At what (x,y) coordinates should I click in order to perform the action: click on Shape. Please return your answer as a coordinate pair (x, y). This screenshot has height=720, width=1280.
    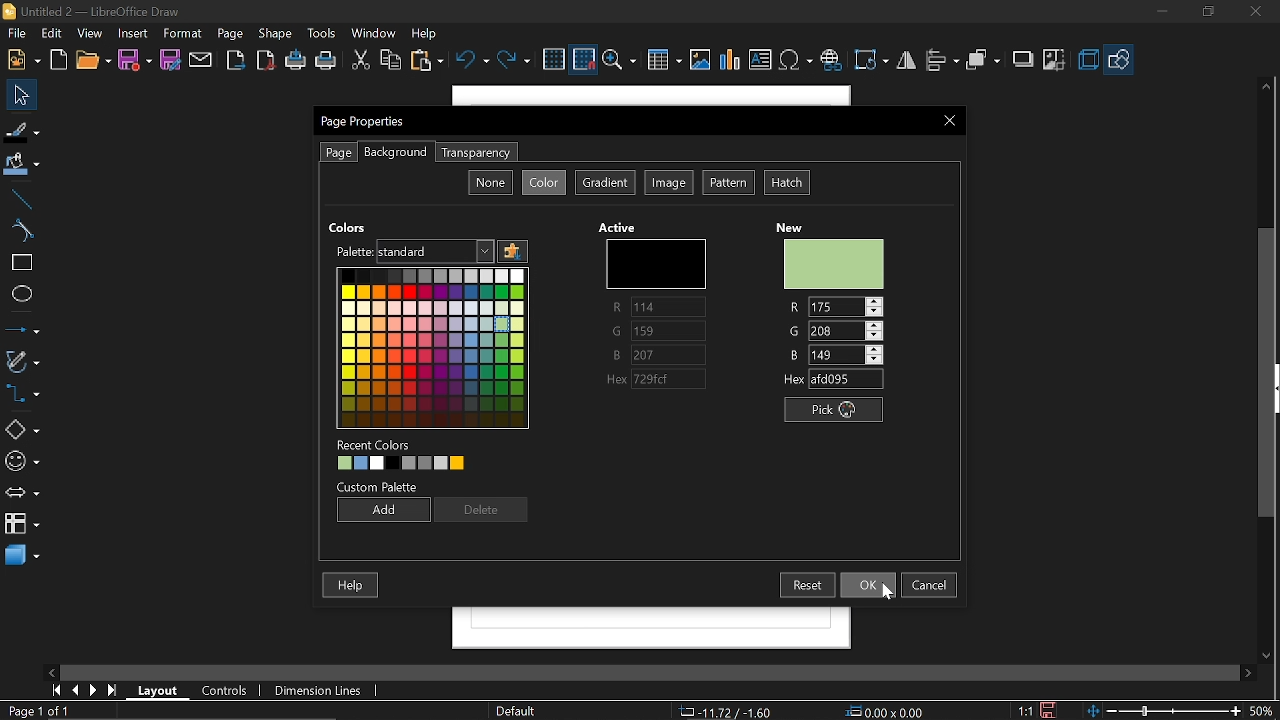
    Looking at the image, I should click on (273, 35).